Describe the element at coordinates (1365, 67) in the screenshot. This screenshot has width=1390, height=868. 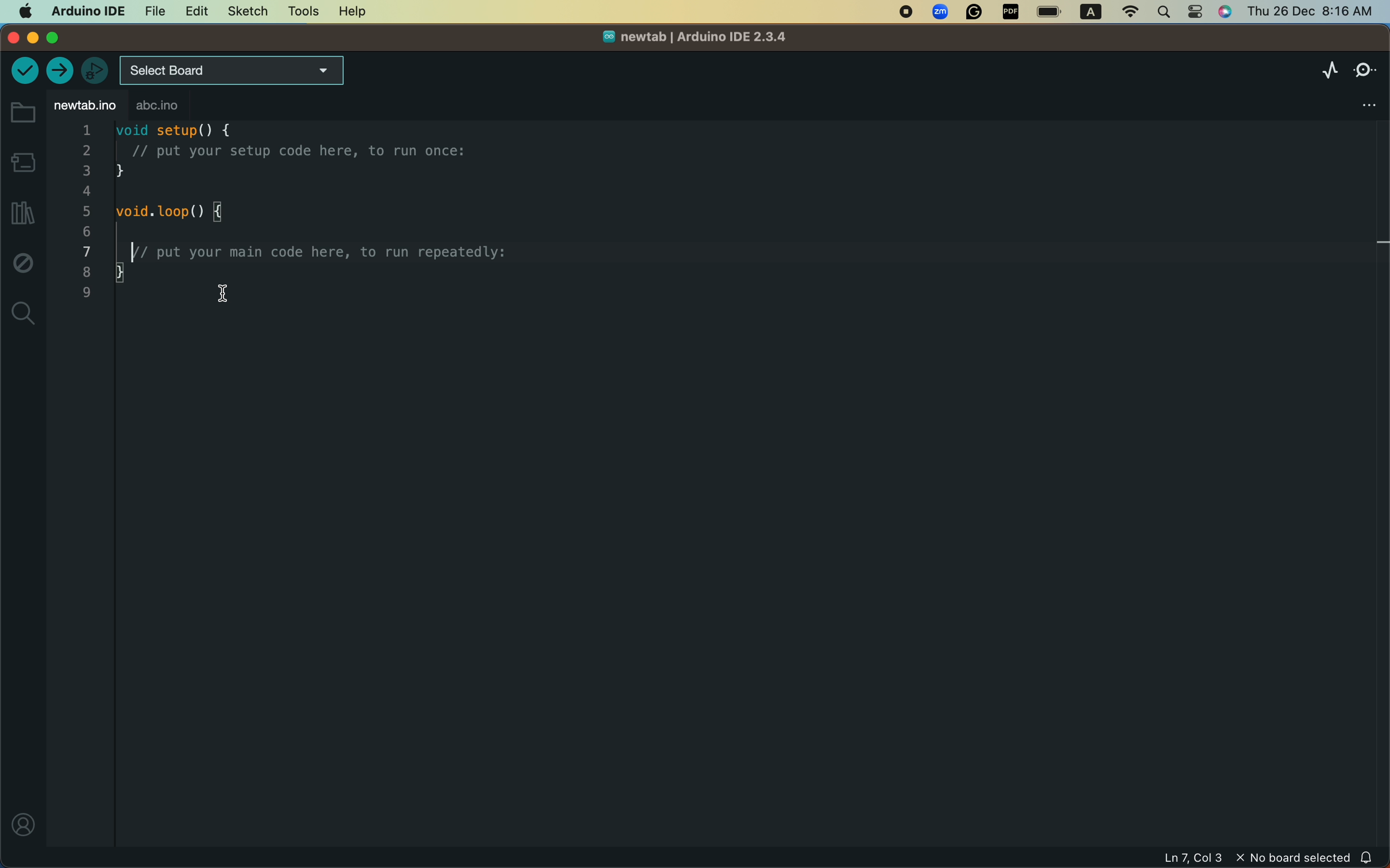
I see `serial monitor` at that location.